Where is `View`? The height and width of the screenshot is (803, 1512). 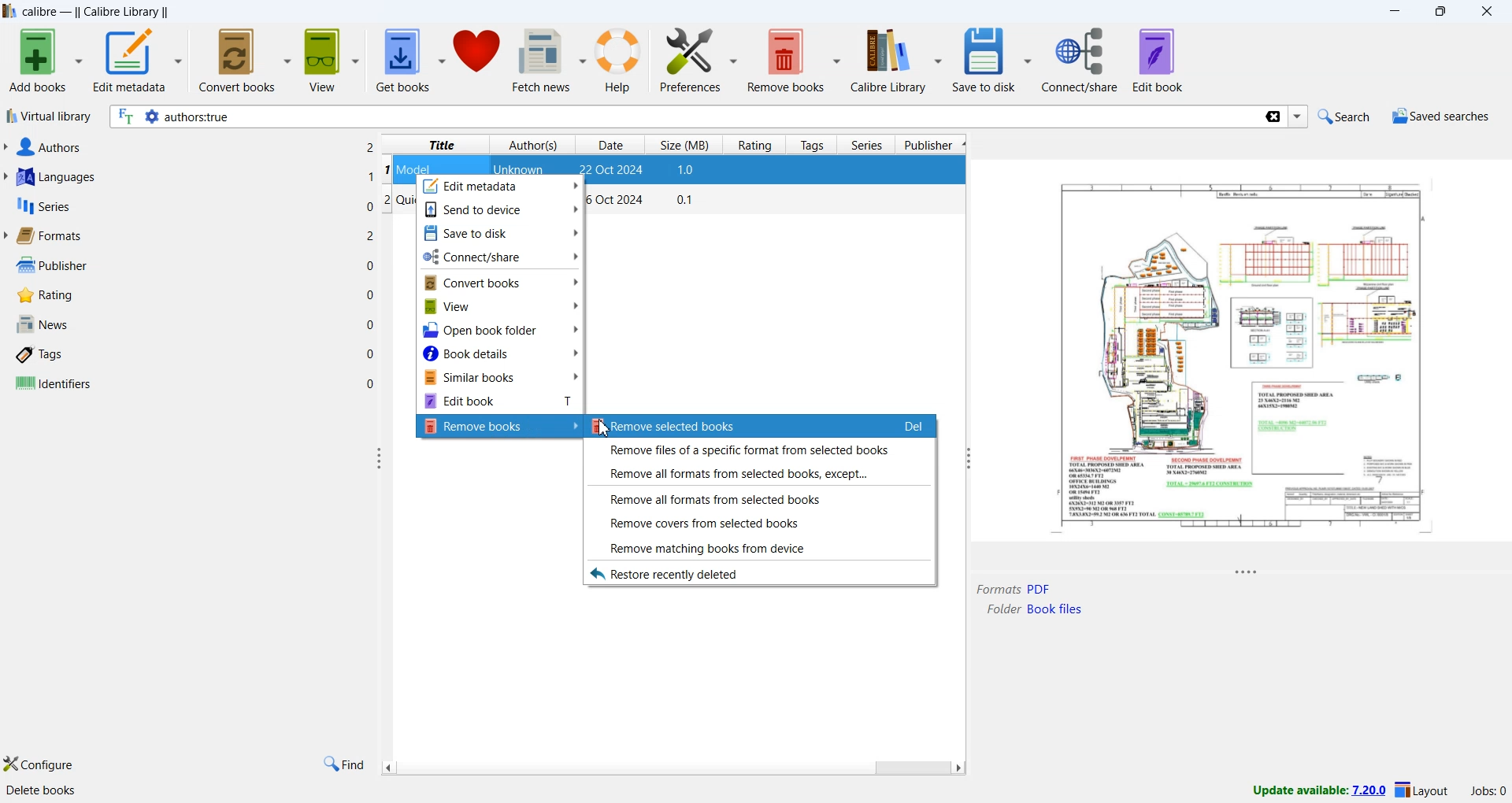 View is located at coordinates (502, 305).